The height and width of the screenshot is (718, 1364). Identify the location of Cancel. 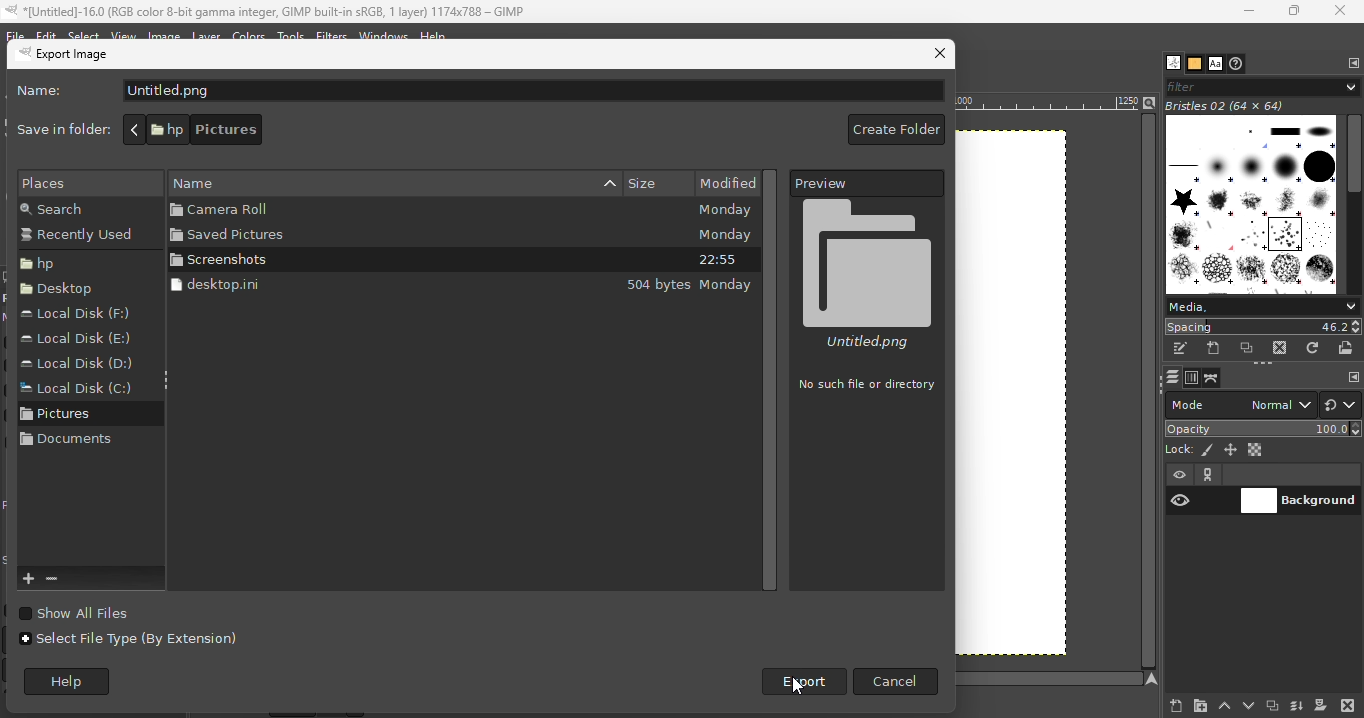
(896, 681).